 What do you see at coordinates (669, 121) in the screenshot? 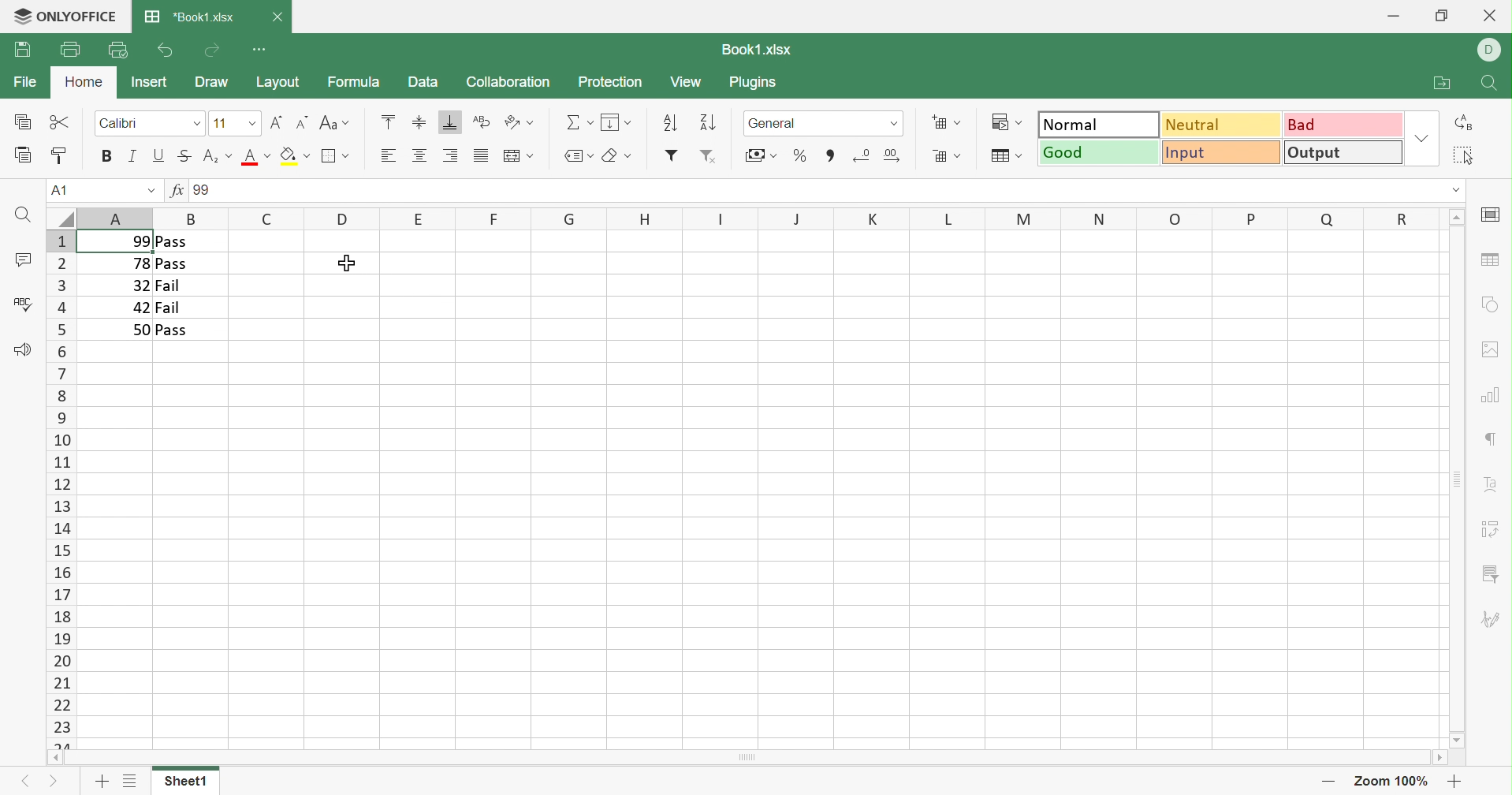
I see `Sort descending` at bounding box center [669, 121].